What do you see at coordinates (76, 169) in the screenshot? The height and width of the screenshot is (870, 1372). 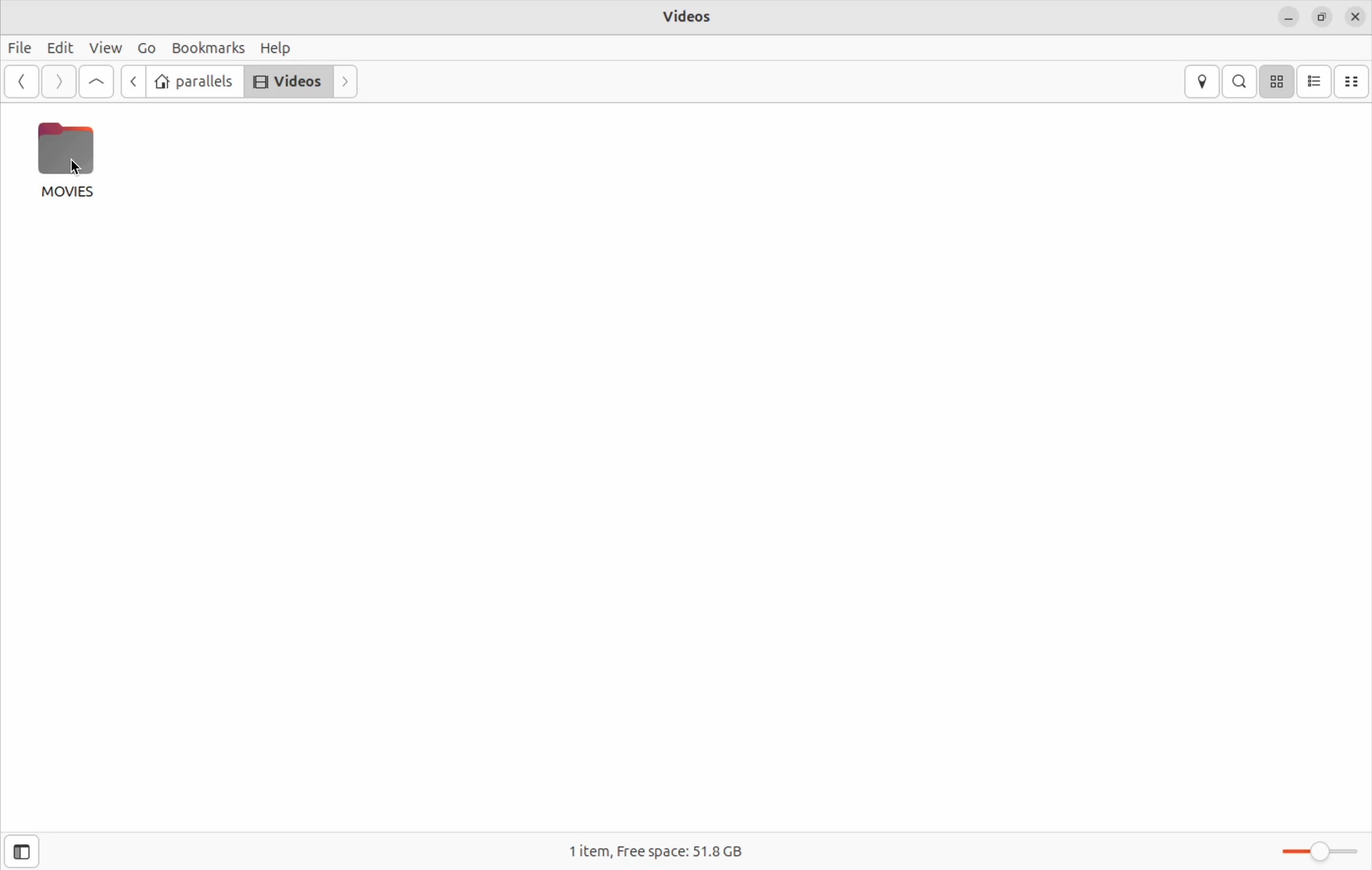 I see `cursor` at bounding box center [76, 169].